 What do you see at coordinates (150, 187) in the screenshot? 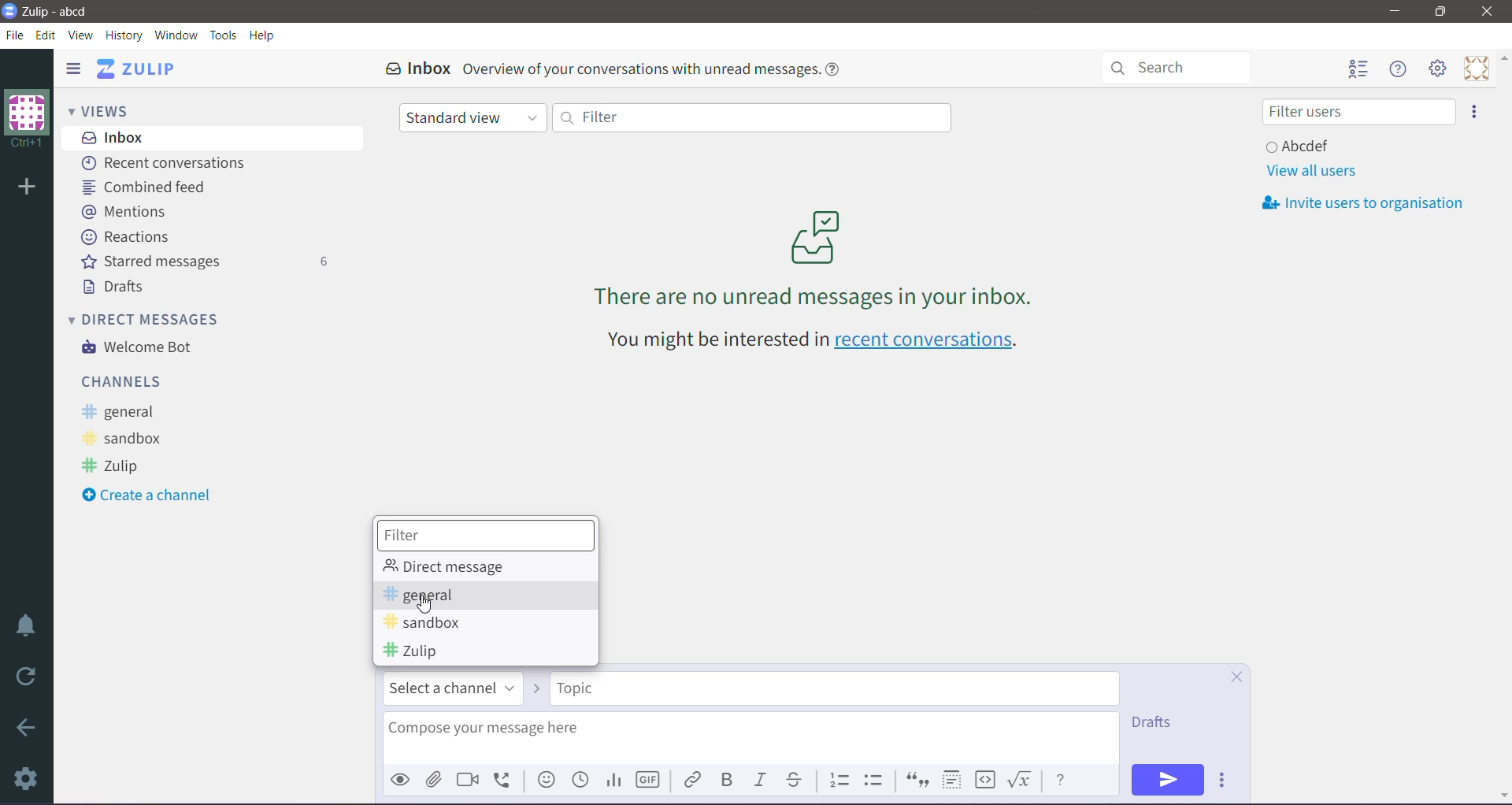
I see `Combined feed` at bounding box center [150, 187].